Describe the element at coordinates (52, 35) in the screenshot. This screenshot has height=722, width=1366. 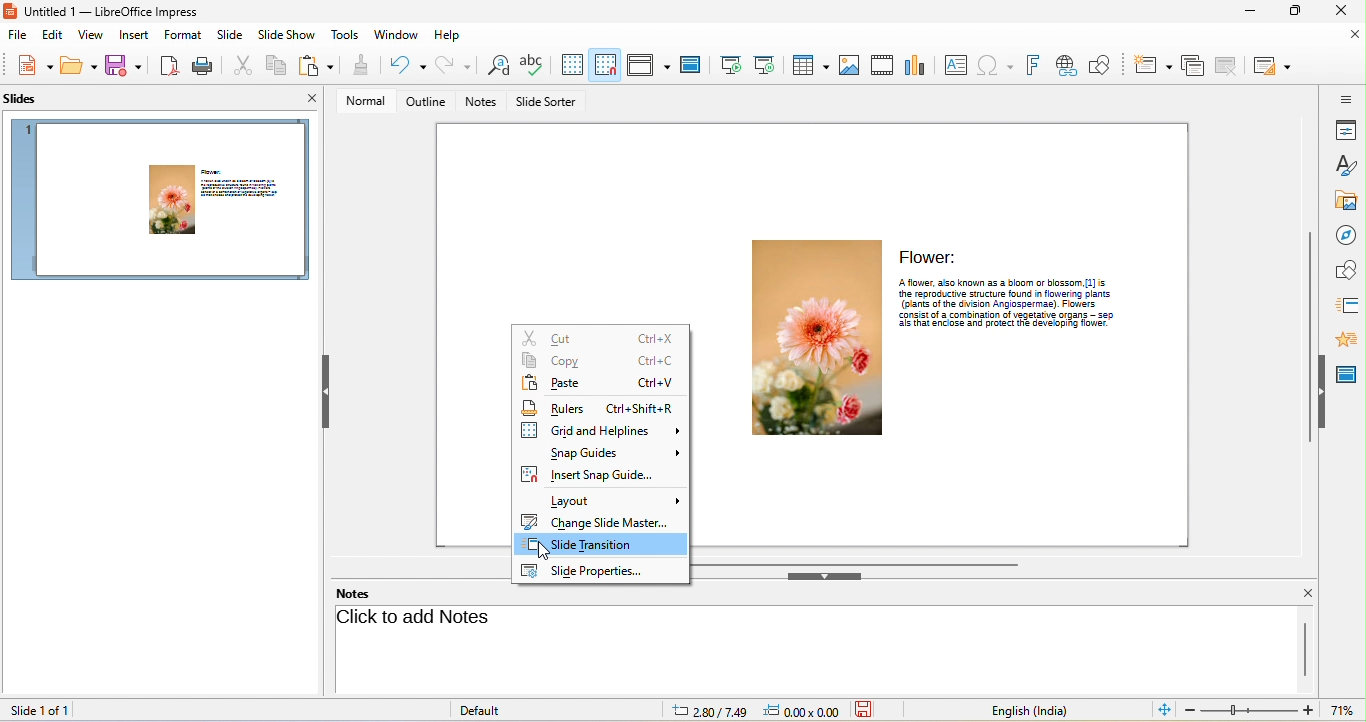
I see `edit` at that location.